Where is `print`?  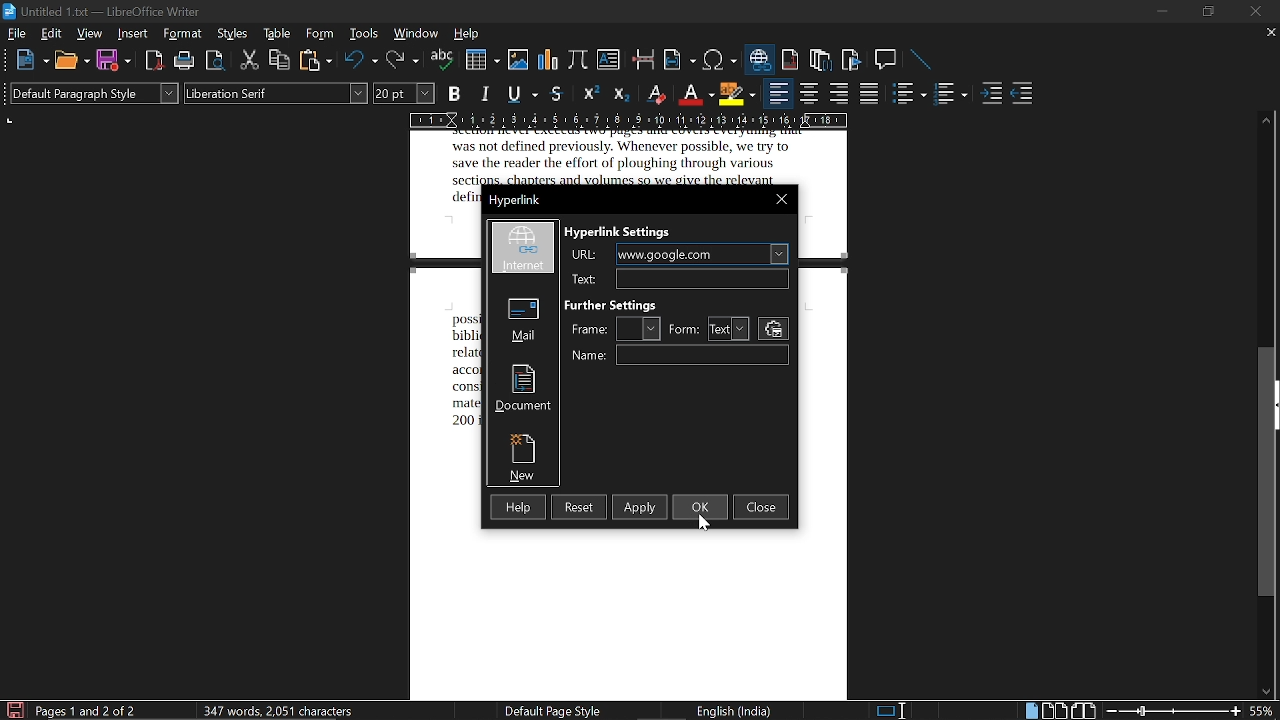
print is located at coordinates (184, 61).